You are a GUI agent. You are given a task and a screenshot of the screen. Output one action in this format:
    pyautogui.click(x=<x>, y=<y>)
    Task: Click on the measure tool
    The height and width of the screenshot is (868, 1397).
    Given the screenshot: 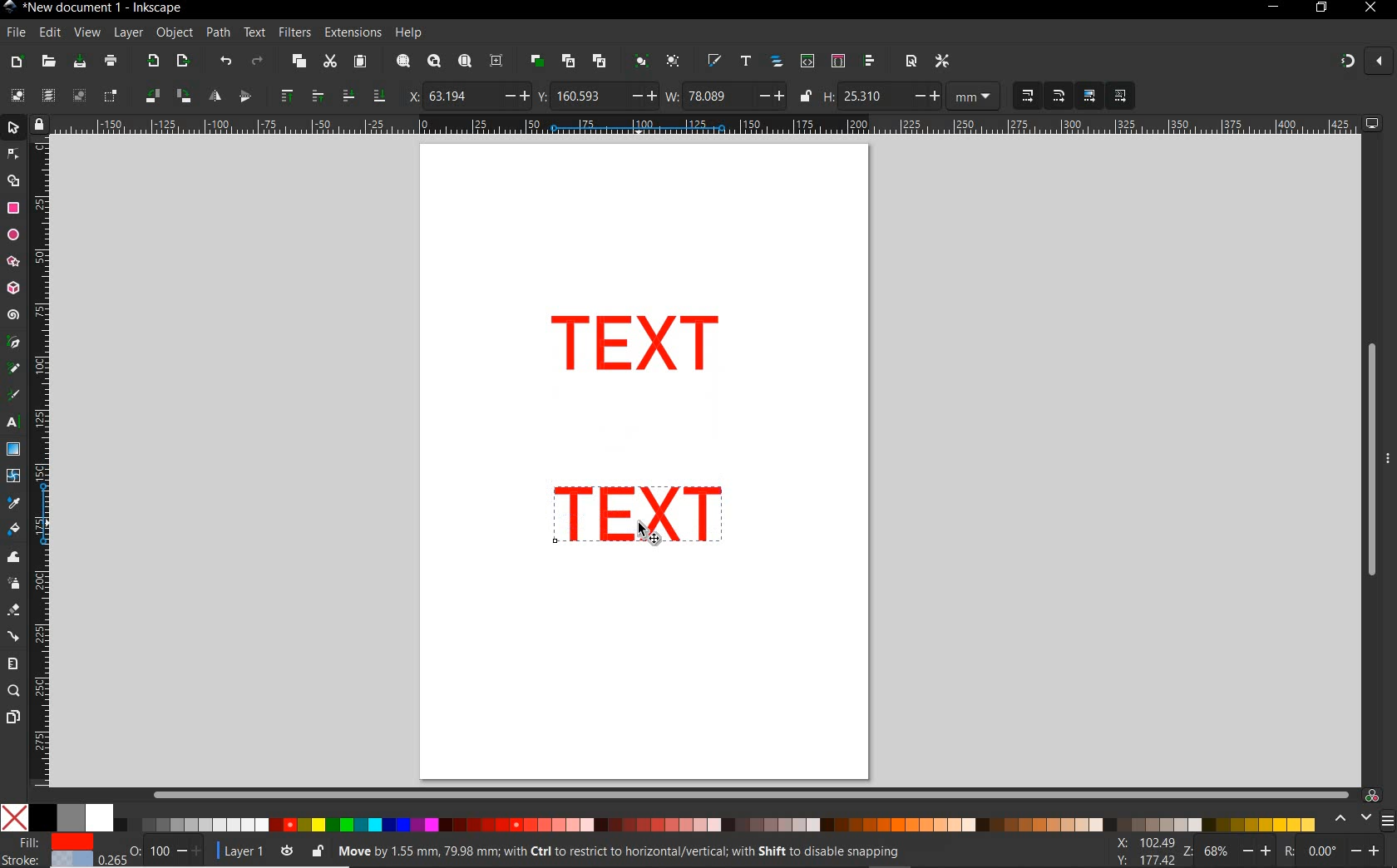 What is the action you would take?
    pyautogui.click(x=13, y=663)
    